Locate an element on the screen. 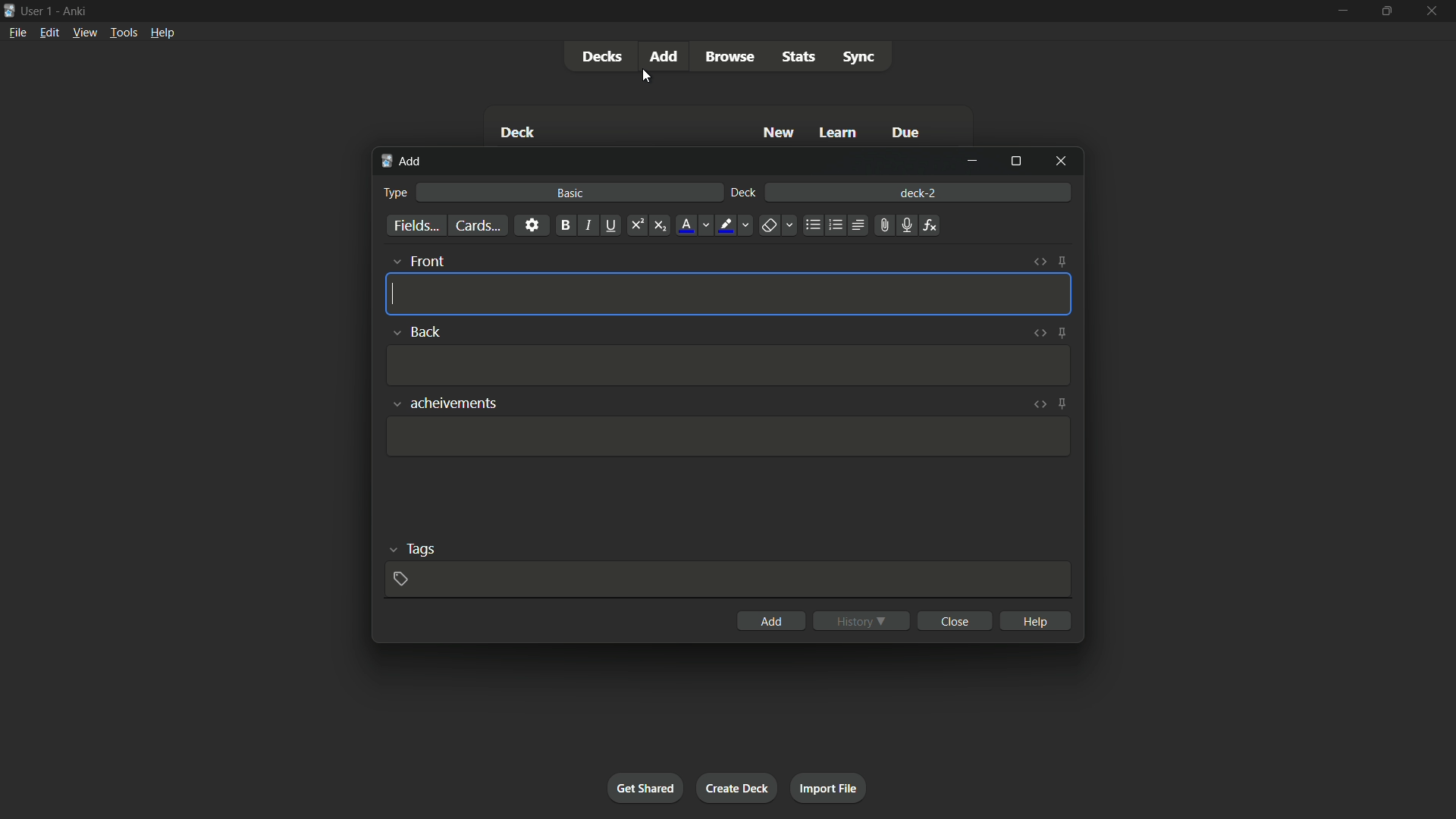 This screenshot has height=819, width=1456. sync is located at coordinates (861, 58).